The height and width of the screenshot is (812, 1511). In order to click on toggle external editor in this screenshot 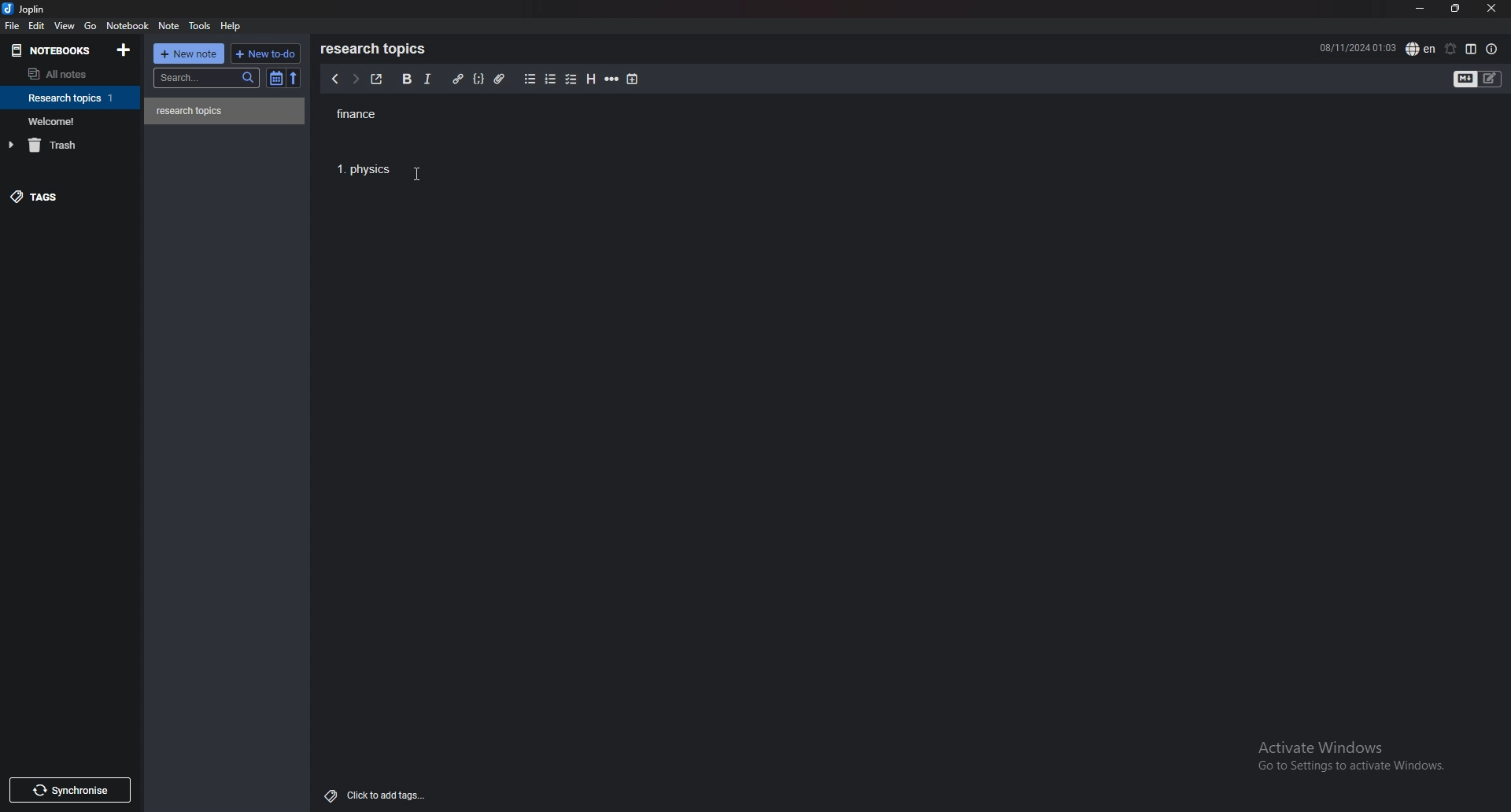, I will do `click(375, 79)`.